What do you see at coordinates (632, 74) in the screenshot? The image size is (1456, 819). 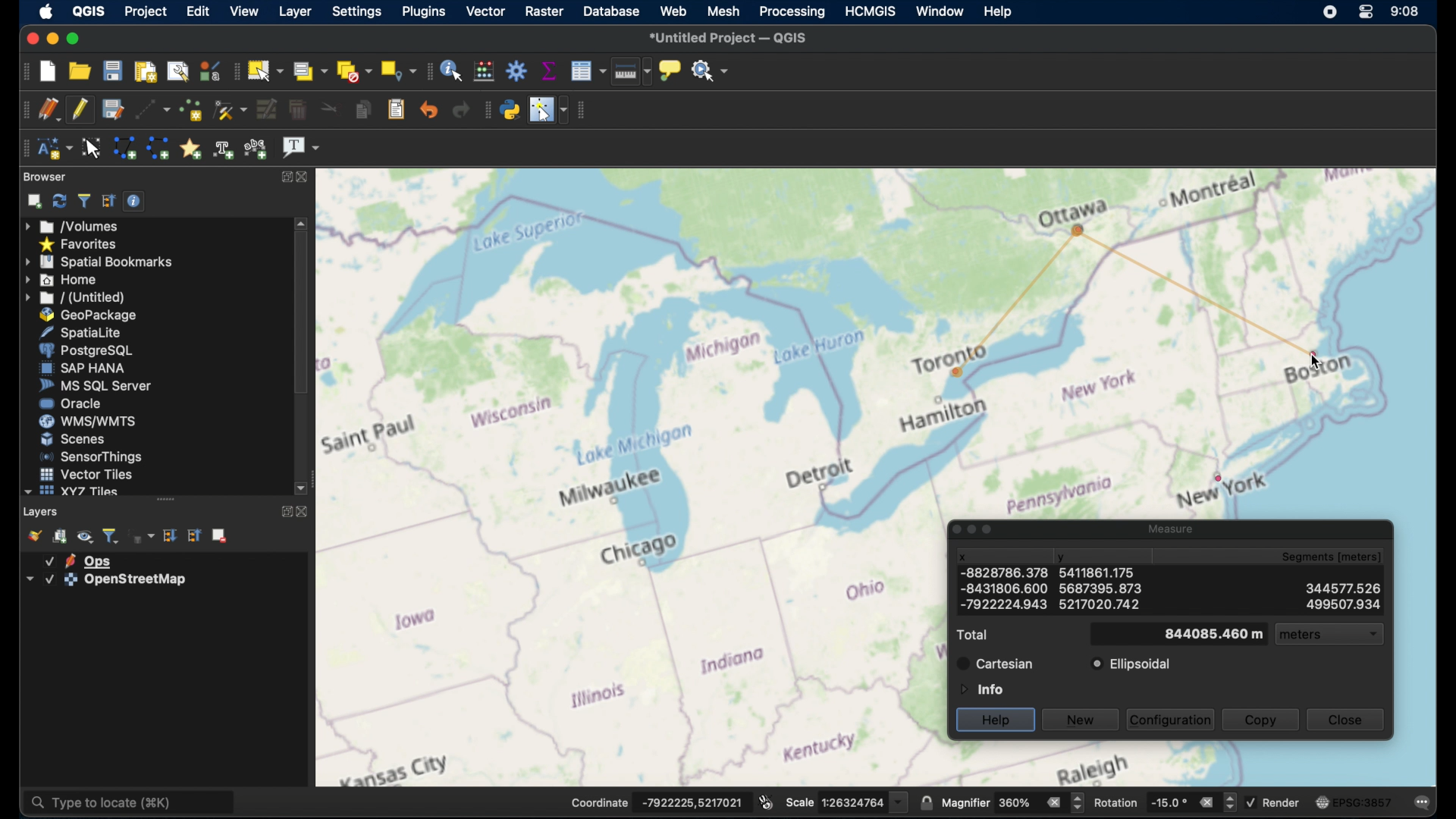 I see `measure line` at bounding box center [632, 74].